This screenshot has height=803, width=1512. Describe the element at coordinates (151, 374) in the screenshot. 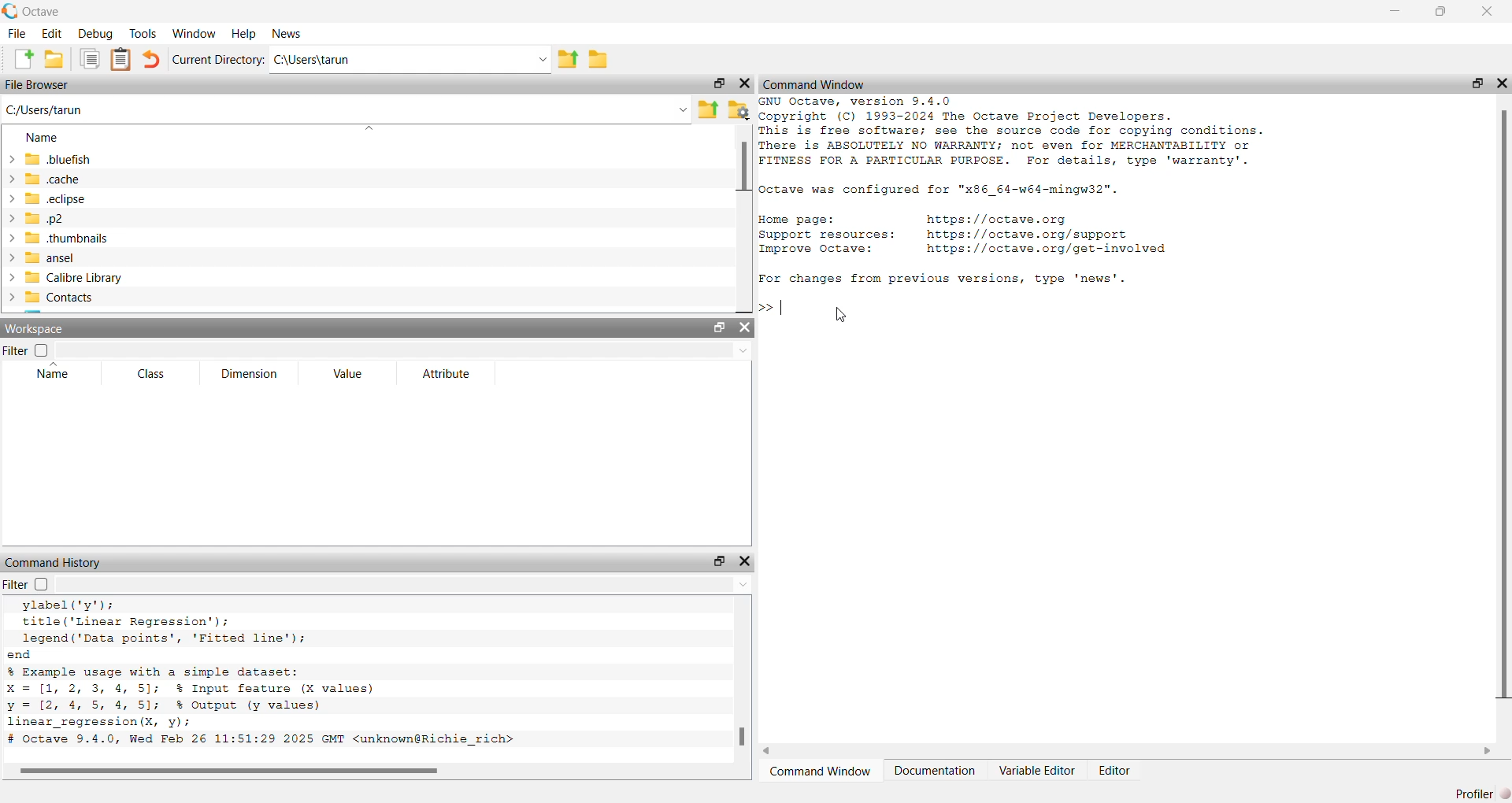

I see `class` at that location.